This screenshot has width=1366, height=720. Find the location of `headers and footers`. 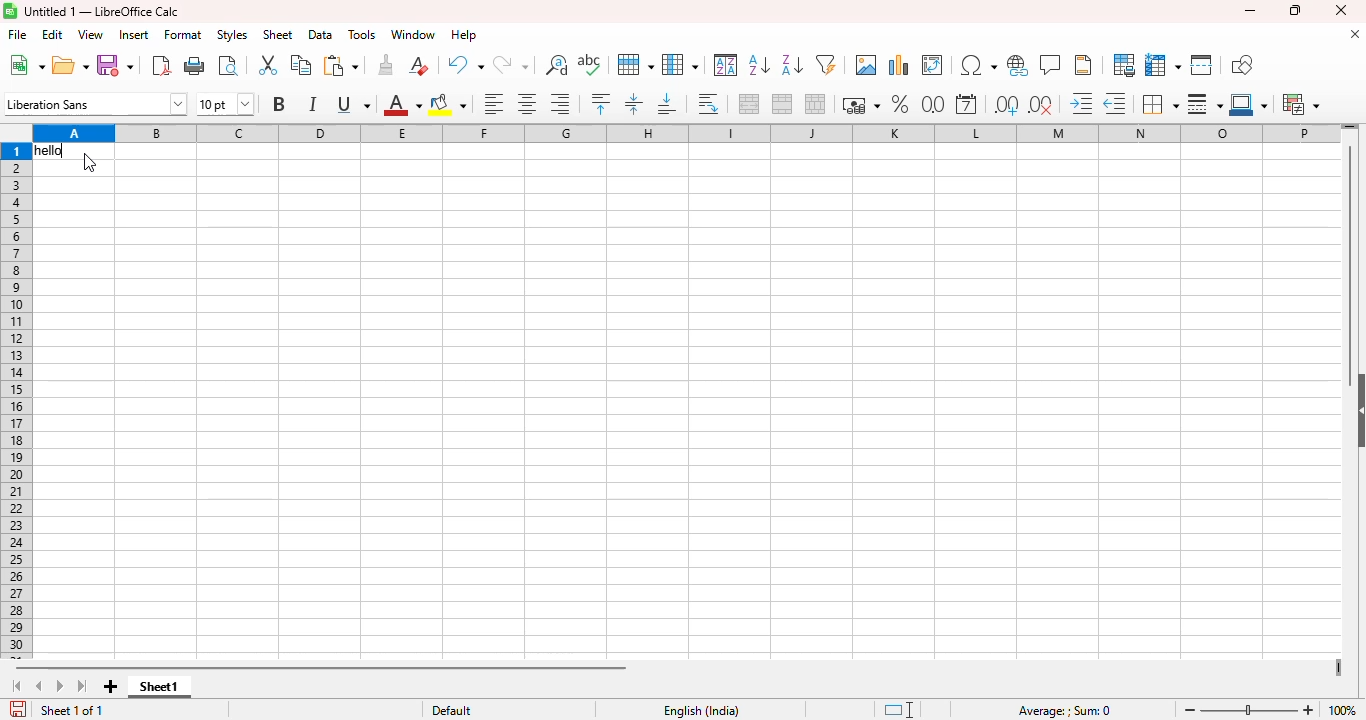

headers and footers is located at coordinates (1084, 65).